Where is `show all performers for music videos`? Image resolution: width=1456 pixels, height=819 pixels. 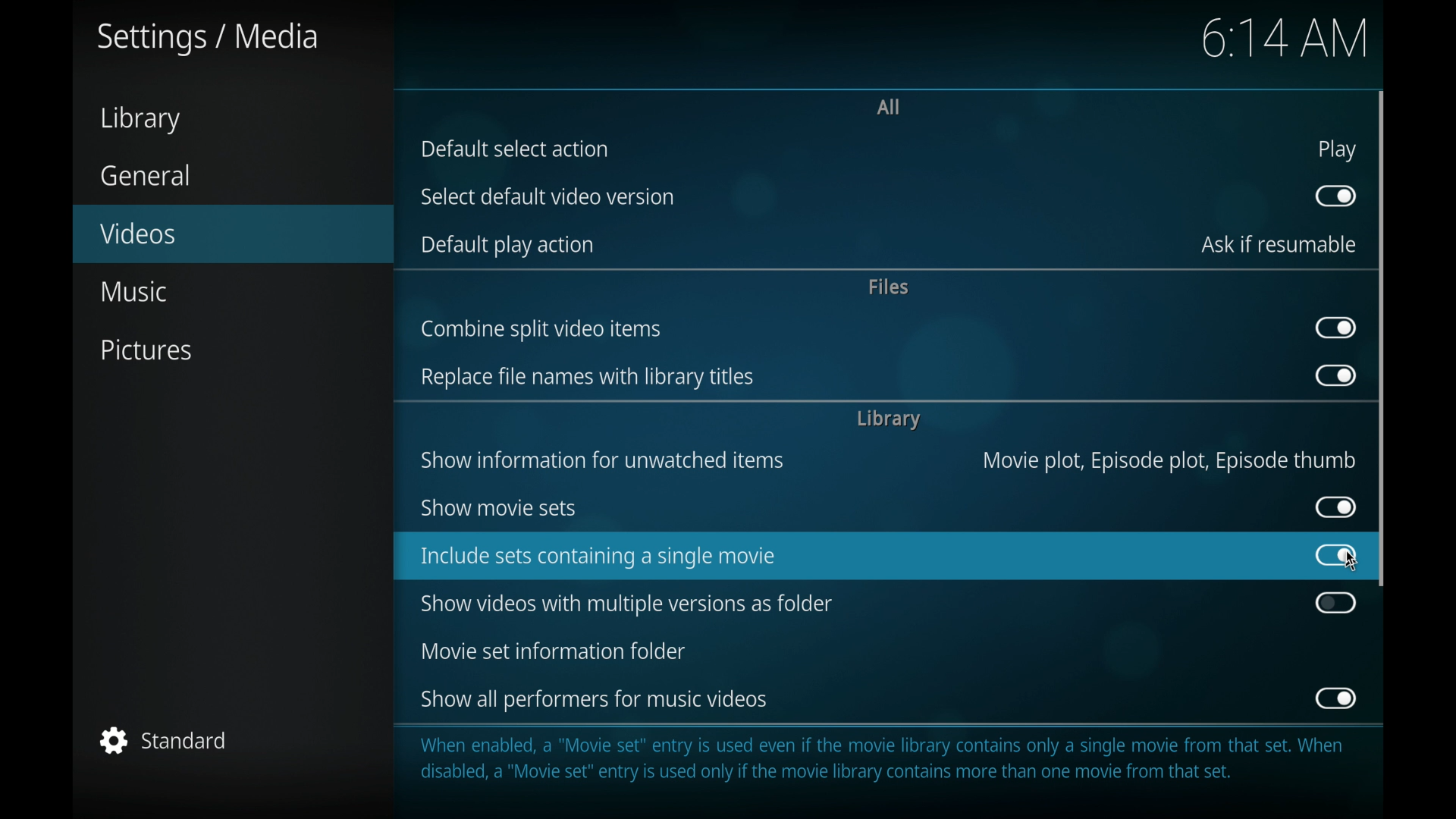 show all performers for music videos is located at coordinates (596, 701).